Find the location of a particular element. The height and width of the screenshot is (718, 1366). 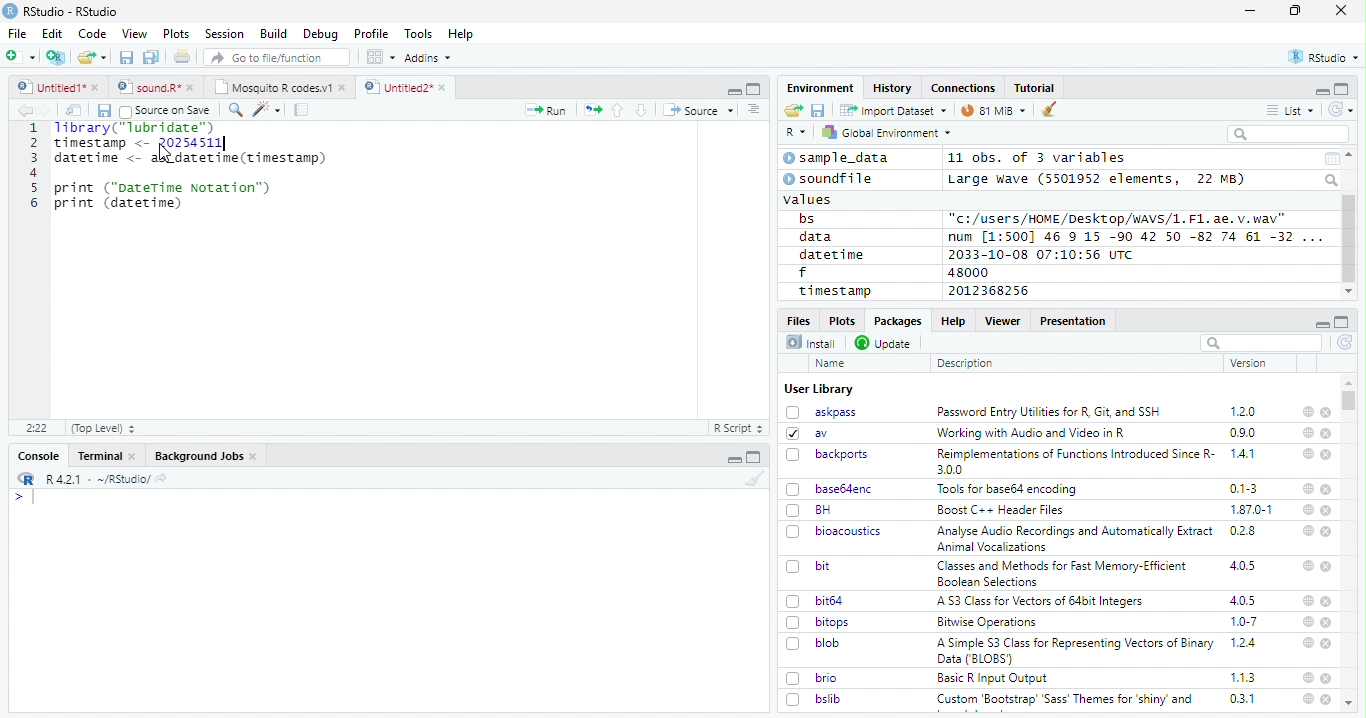

0.2.8 is located at coordinates (1244, 530).